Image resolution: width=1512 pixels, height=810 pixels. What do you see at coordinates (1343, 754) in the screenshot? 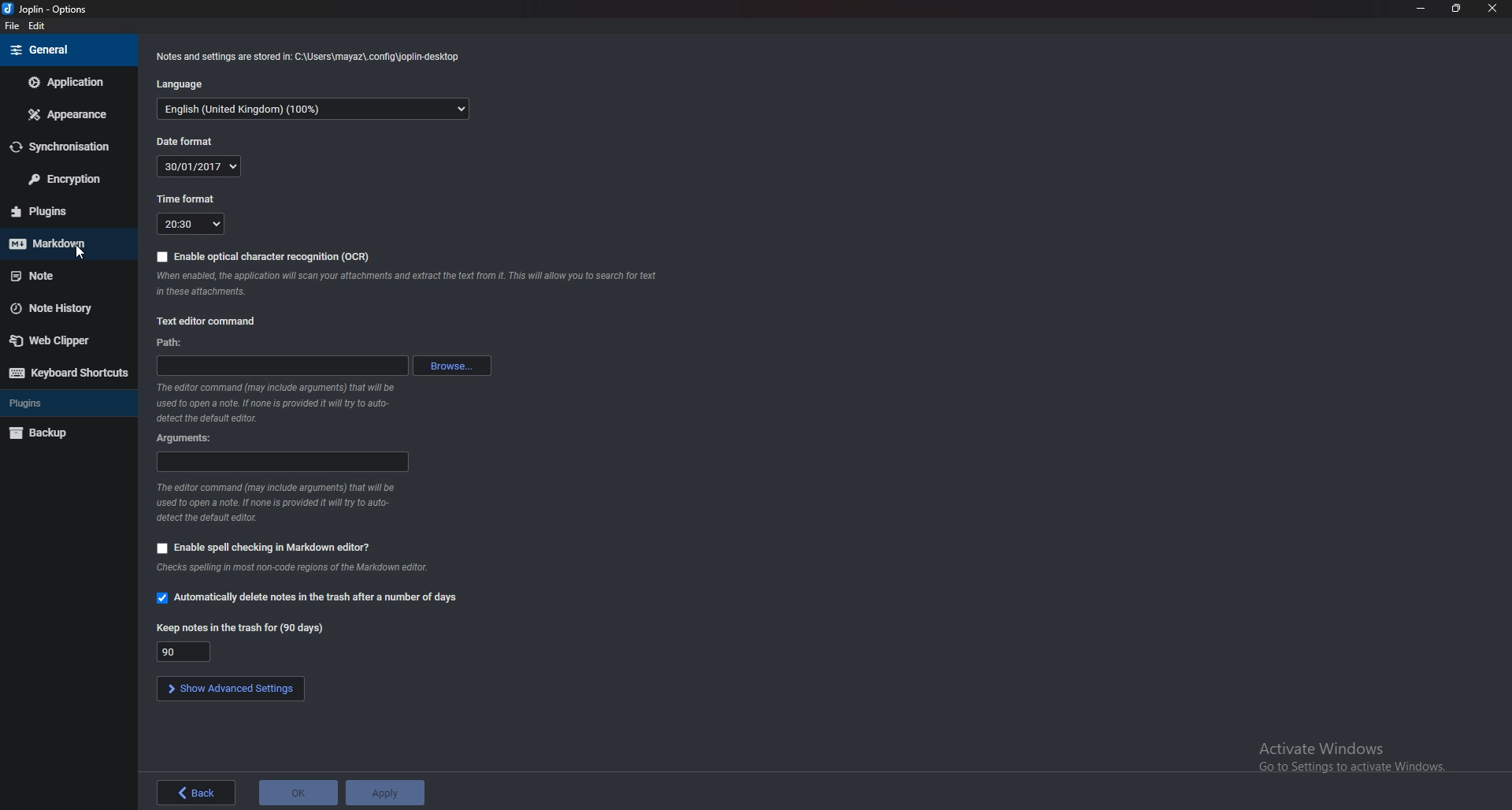
I see `Activate Windows
Go to Settings to activate Windows.` at bounding box center [1343, 754].